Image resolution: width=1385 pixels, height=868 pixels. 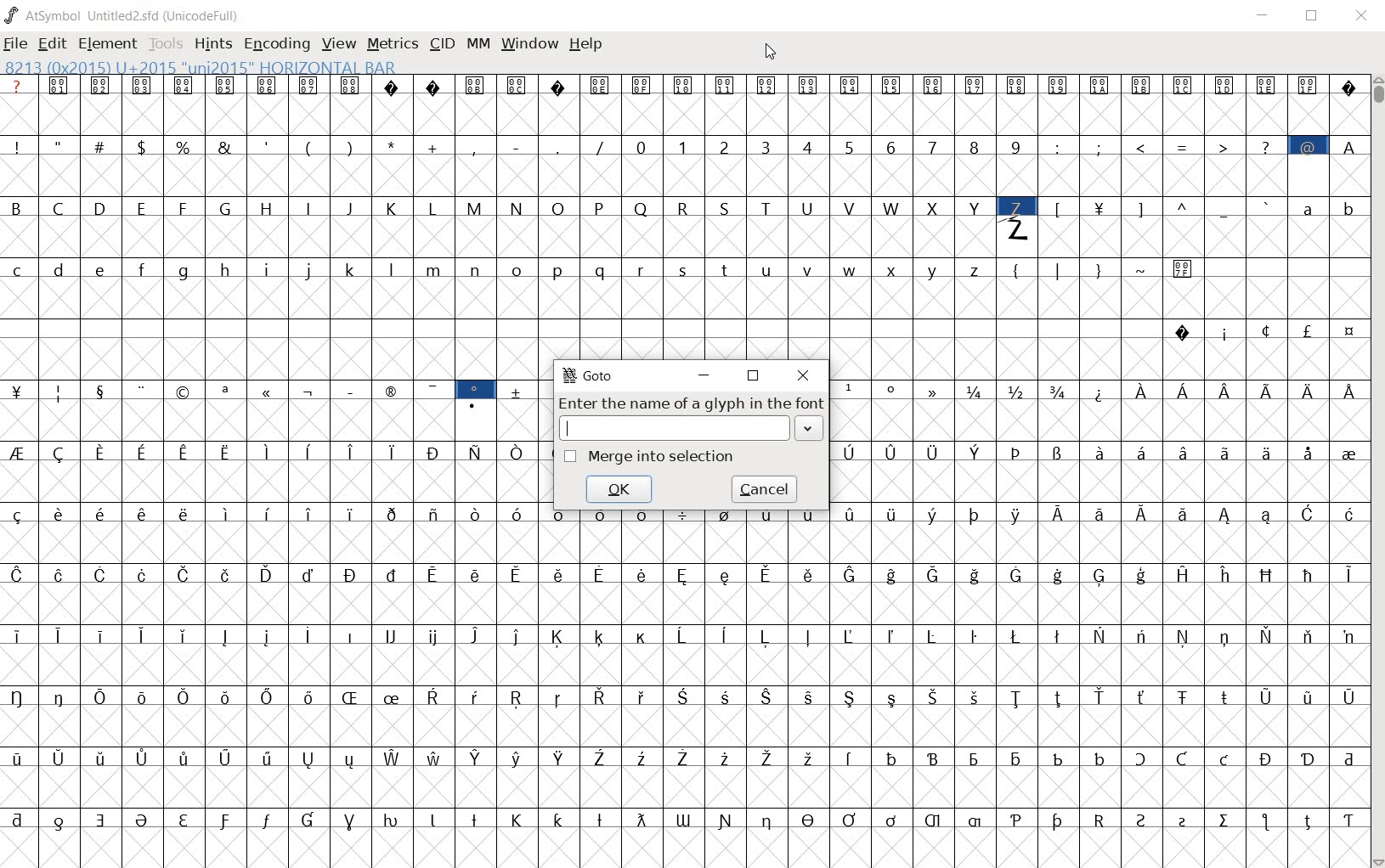 What do you see at coordinates (772, 53) in the screenshot?
I see `CURSOR` at bounding box center [772, 53].